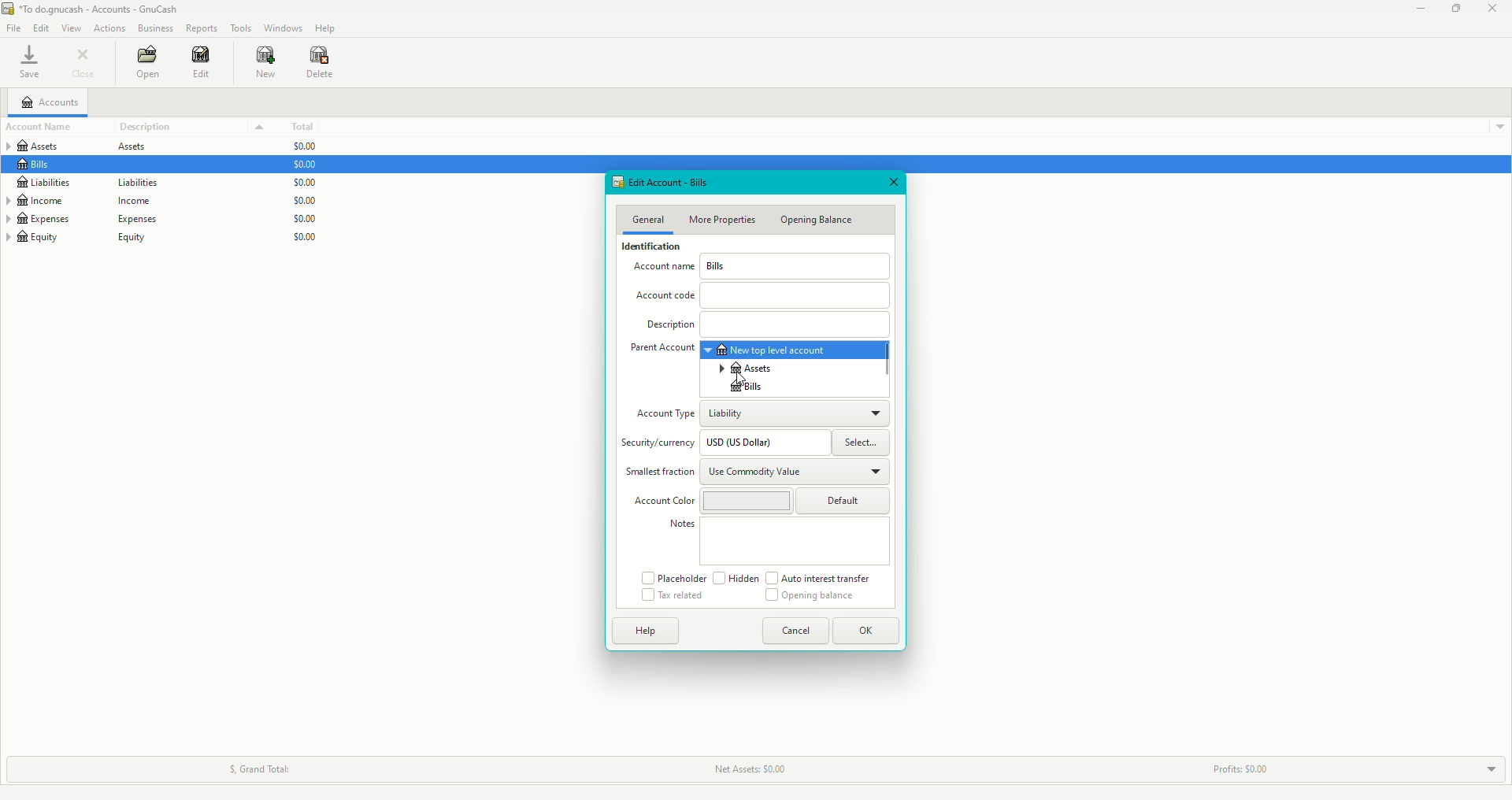 The height and width of the screenshot is (800, 1512). I want to click on Default, so click(844, 502).